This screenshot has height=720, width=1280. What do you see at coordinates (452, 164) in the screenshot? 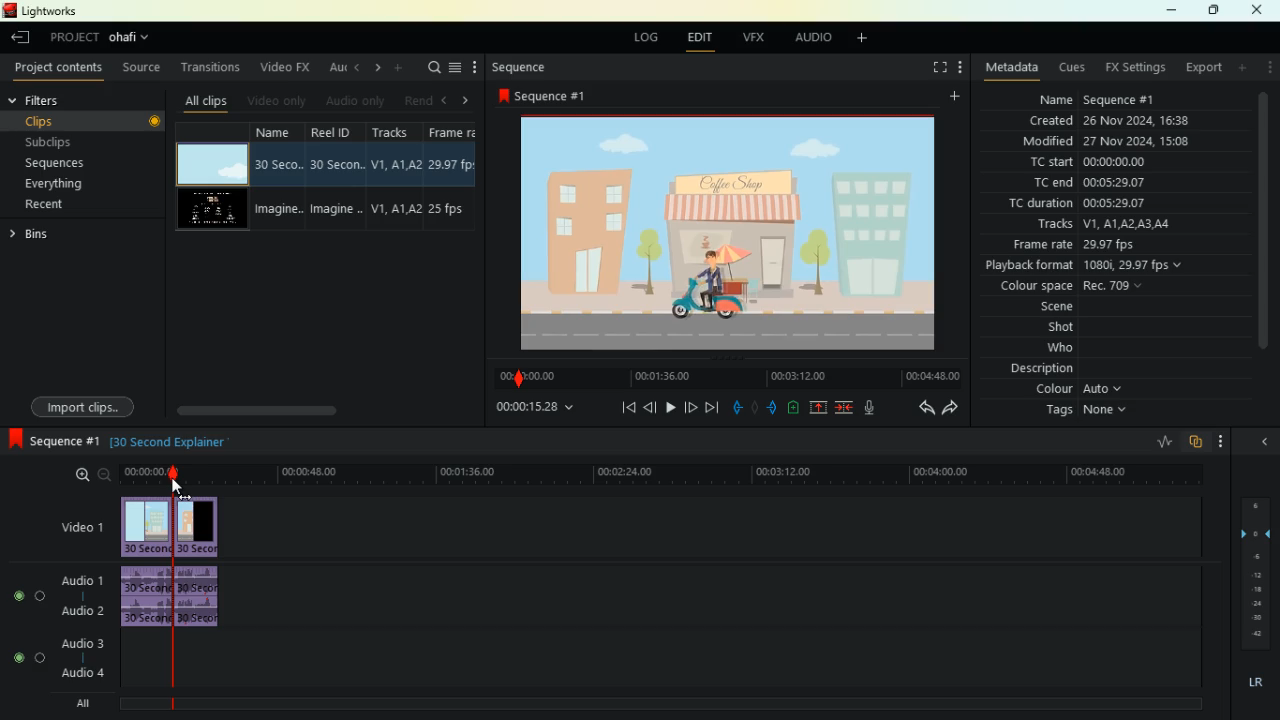
I see `29.97` at bounding box center [452, 164].